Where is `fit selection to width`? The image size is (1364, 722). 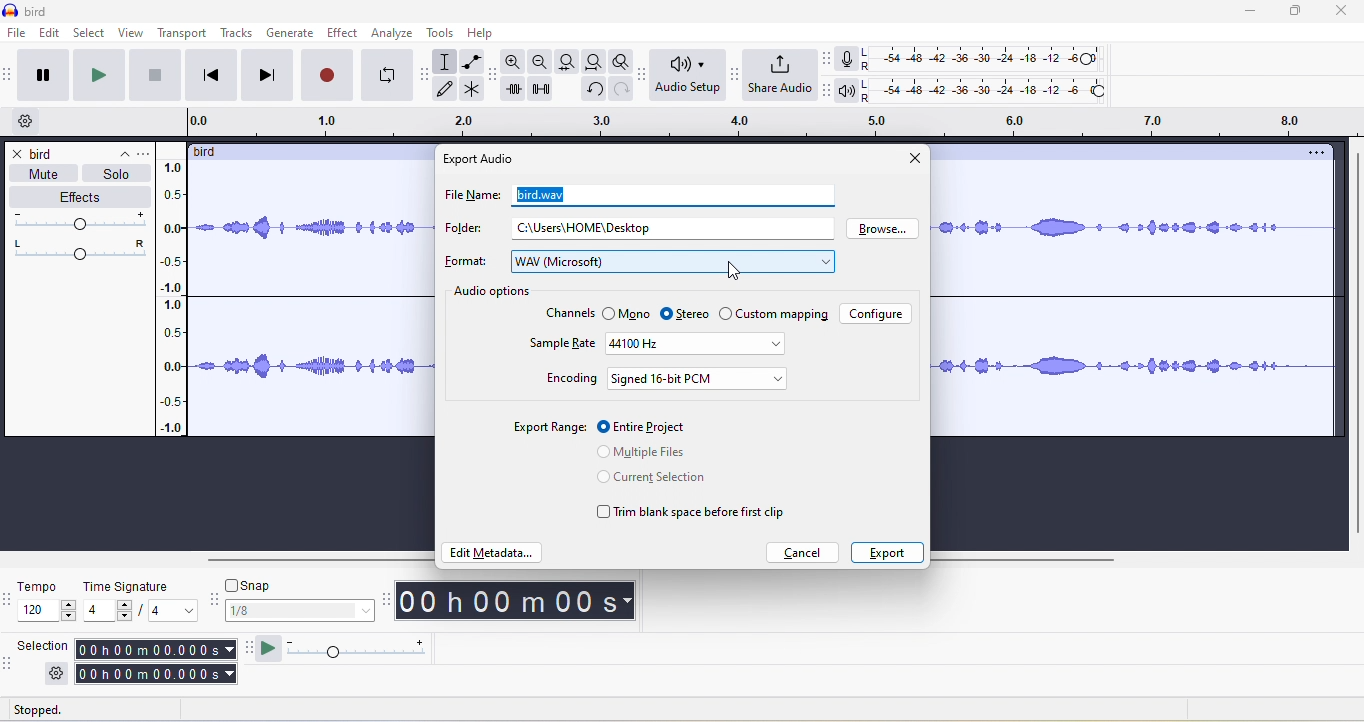
fit selection to width is located at coordinates (565, 61).